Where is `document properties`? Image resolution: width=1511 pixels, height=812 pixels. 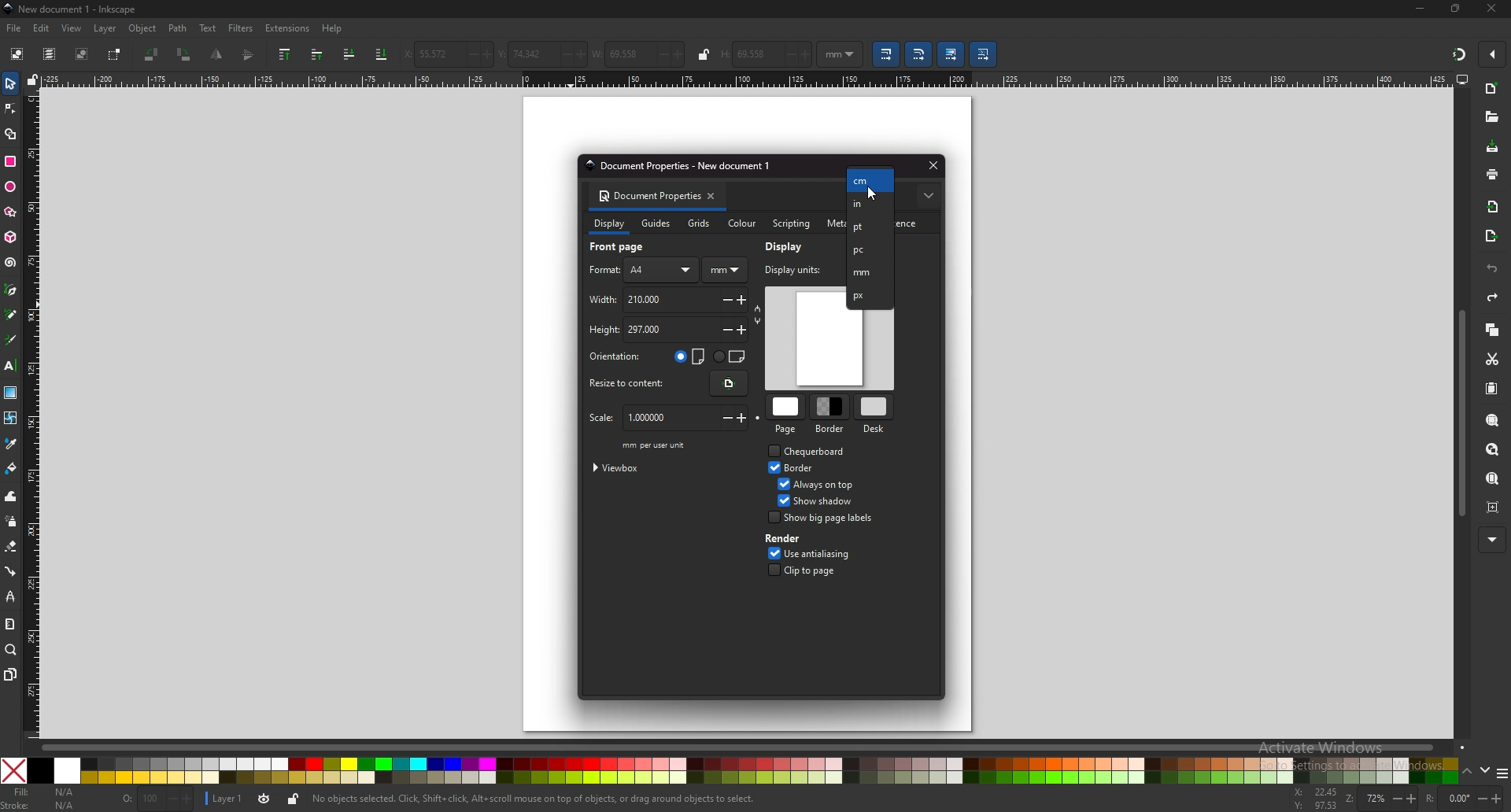
document properties is located at coordinates (647, 197).